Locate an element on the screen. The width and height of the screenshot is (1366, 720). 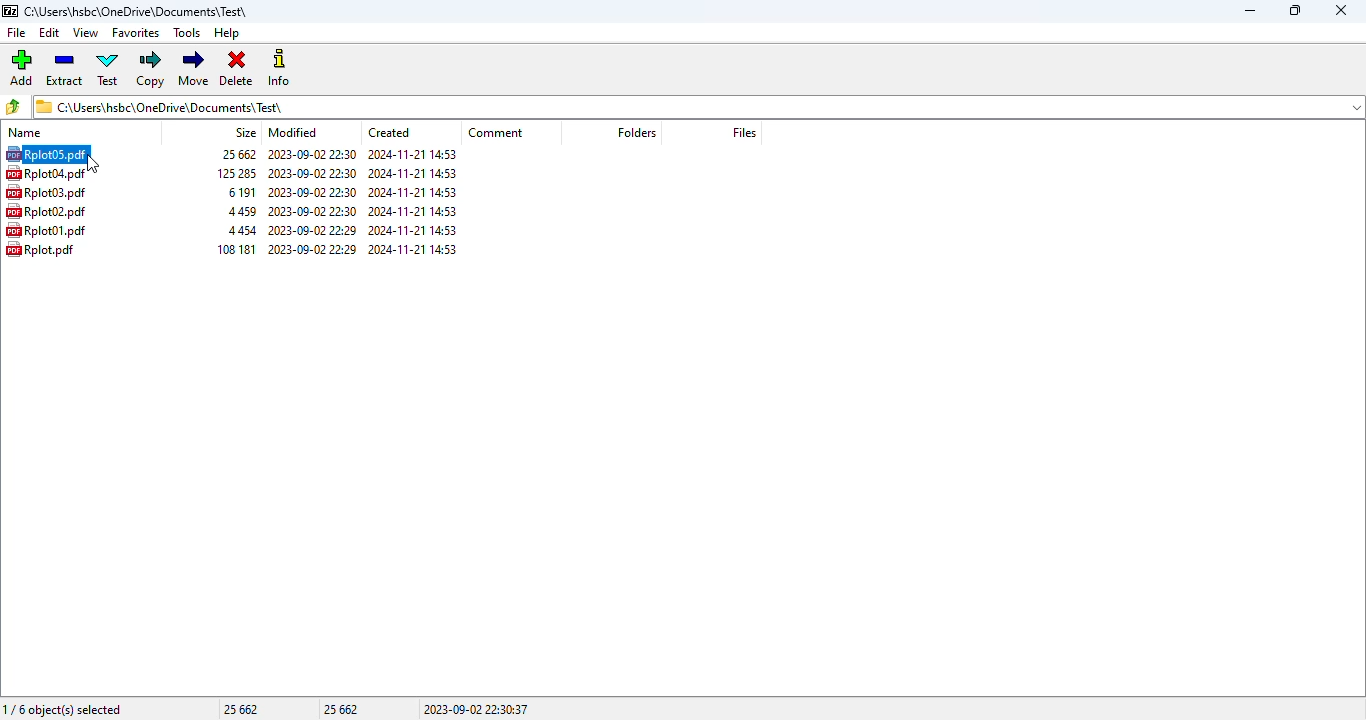
created date & time is located at coordinates (414, 248).